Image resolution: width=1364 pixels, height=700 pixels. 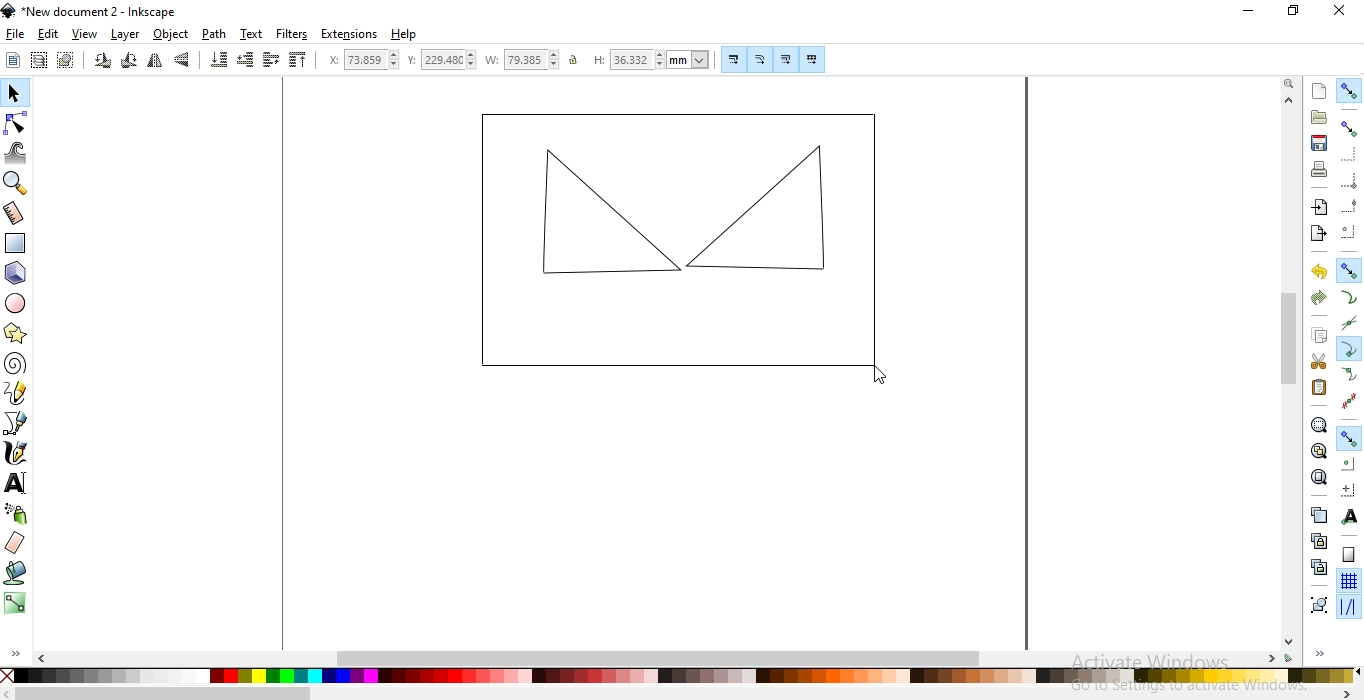 I want to click on select all objects or nodes, so click(x=12, y=60).